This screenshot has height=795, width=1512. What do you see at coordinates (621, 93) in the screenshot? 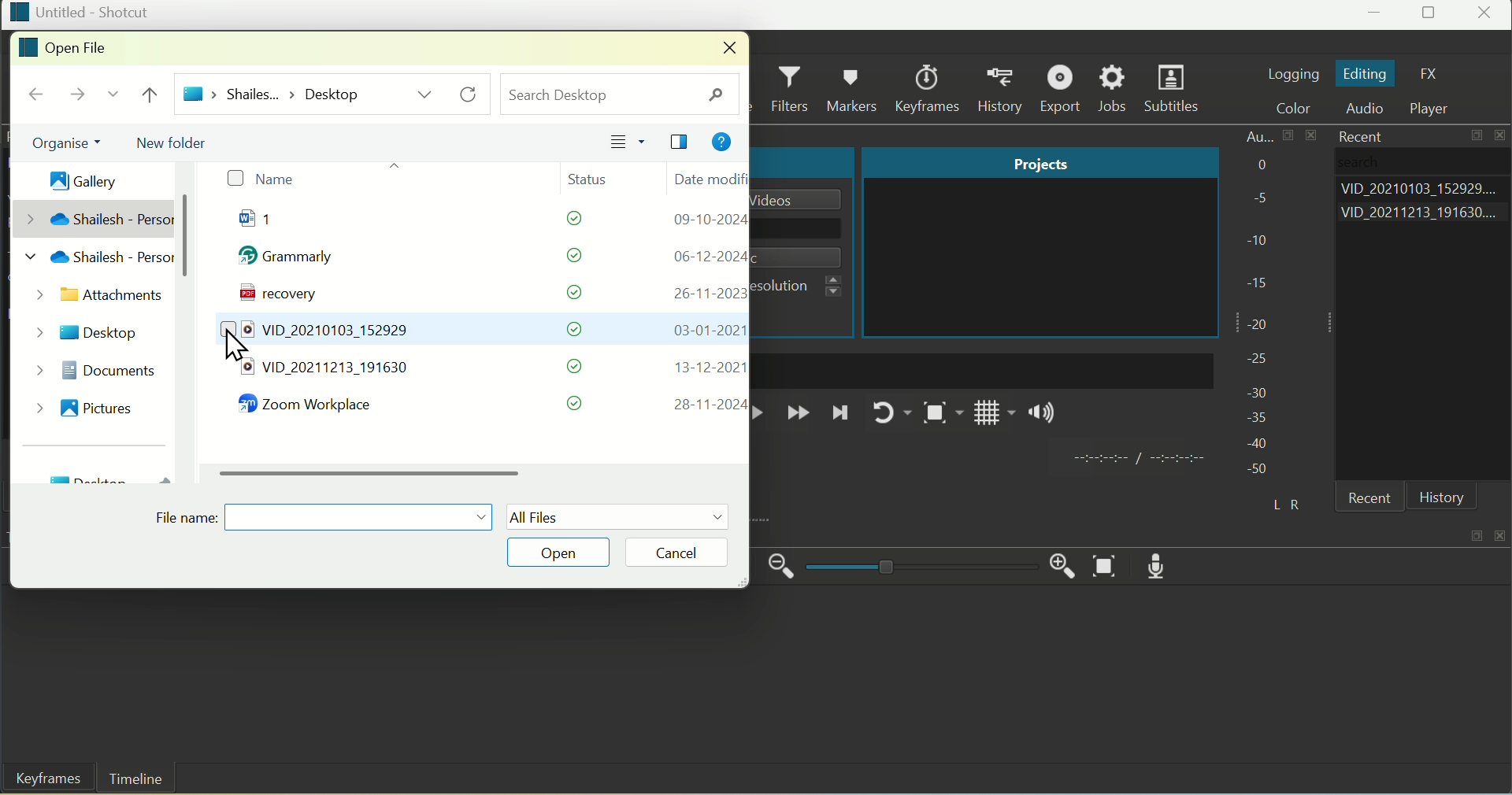
I see `search` at bounding box center [621, 93].